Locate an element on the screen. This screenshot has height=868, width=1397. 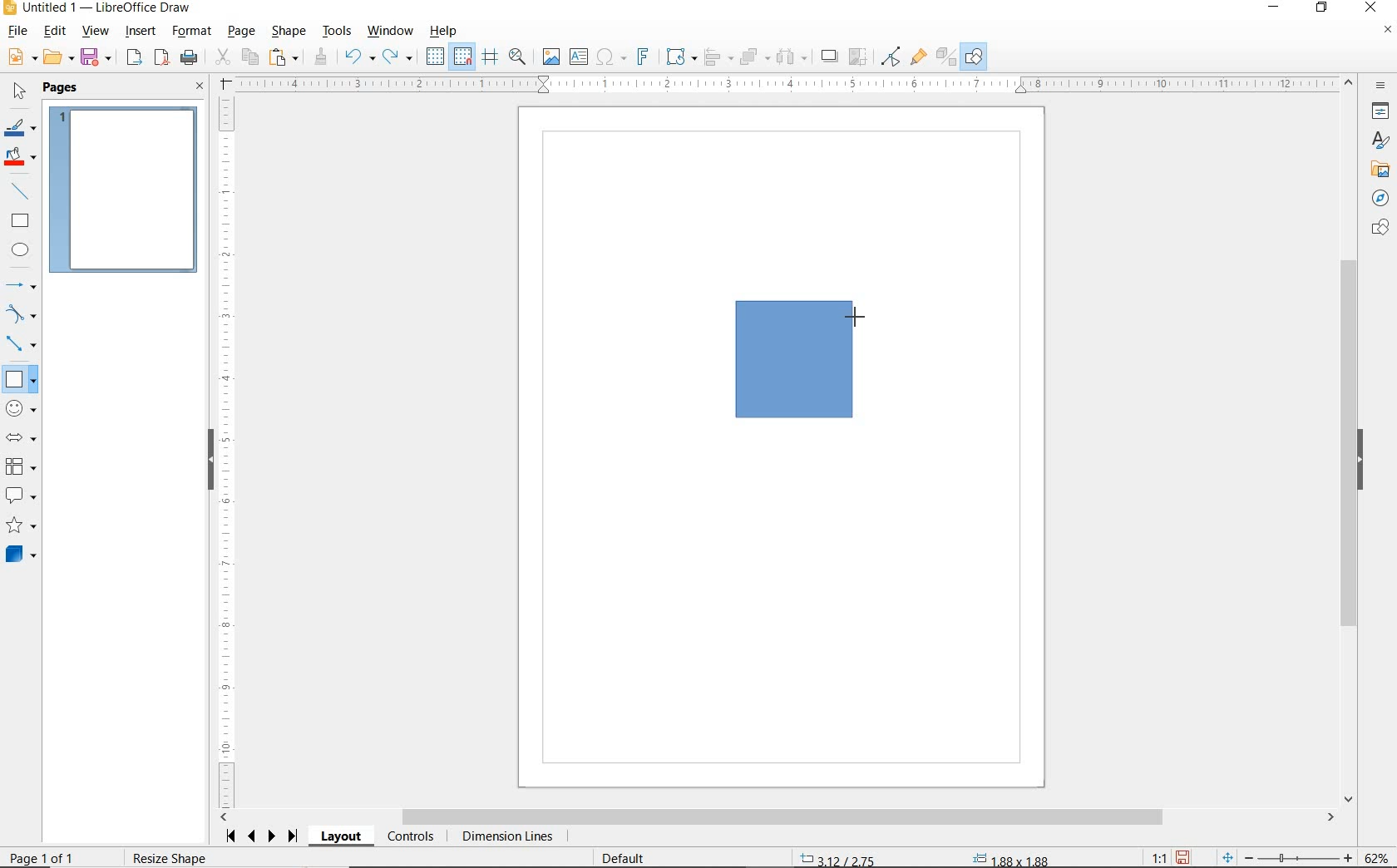
SCALING FACTOR is located at coordinates (1153, 854).